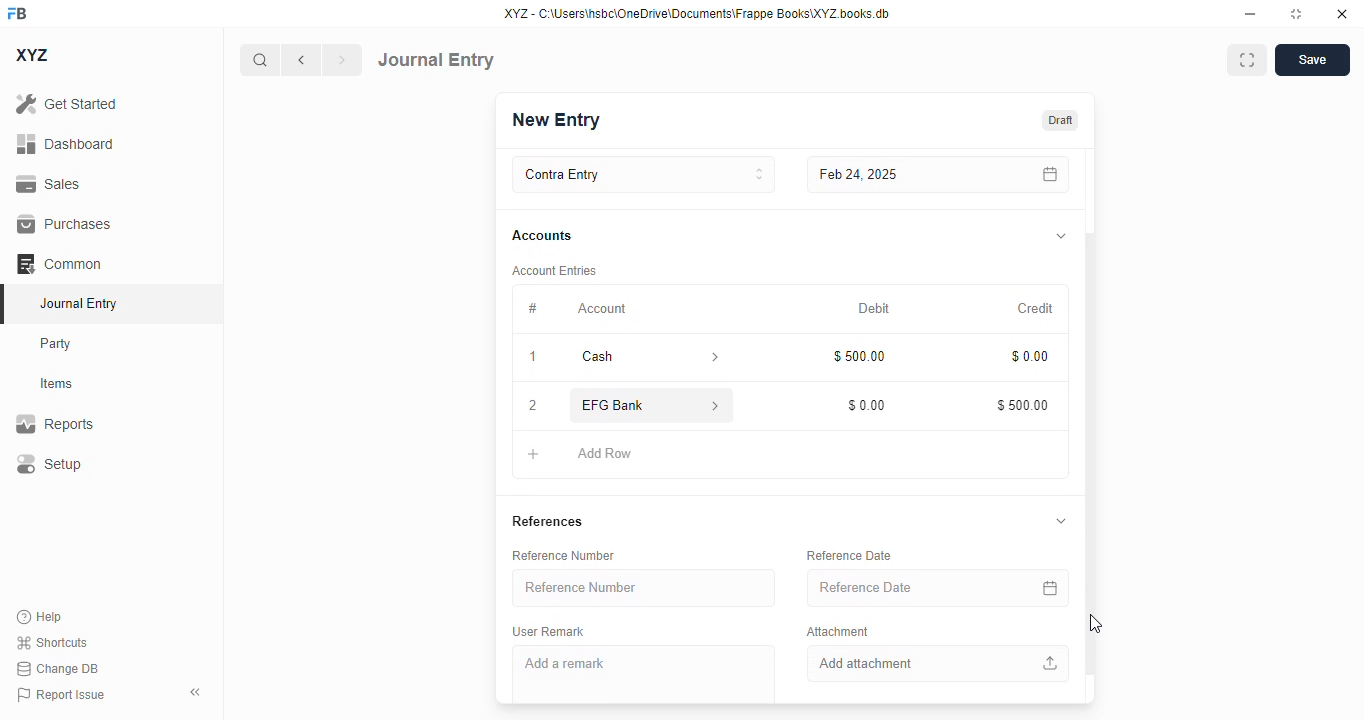  I want to click on feb 24, 2025, so click(894, 175).